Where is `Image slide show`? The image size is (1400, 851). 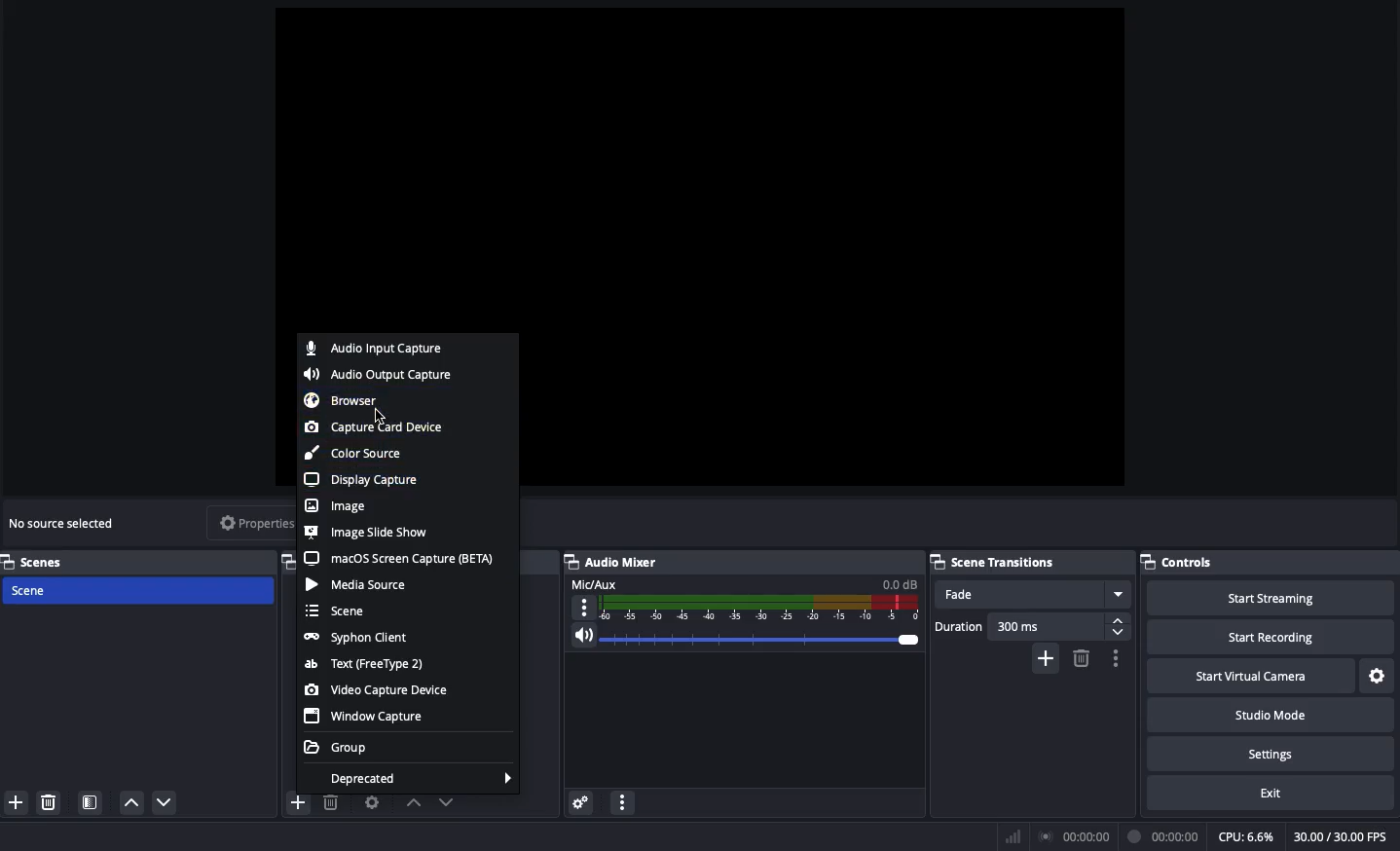
Image slide show is located at coordinates (367, 534).